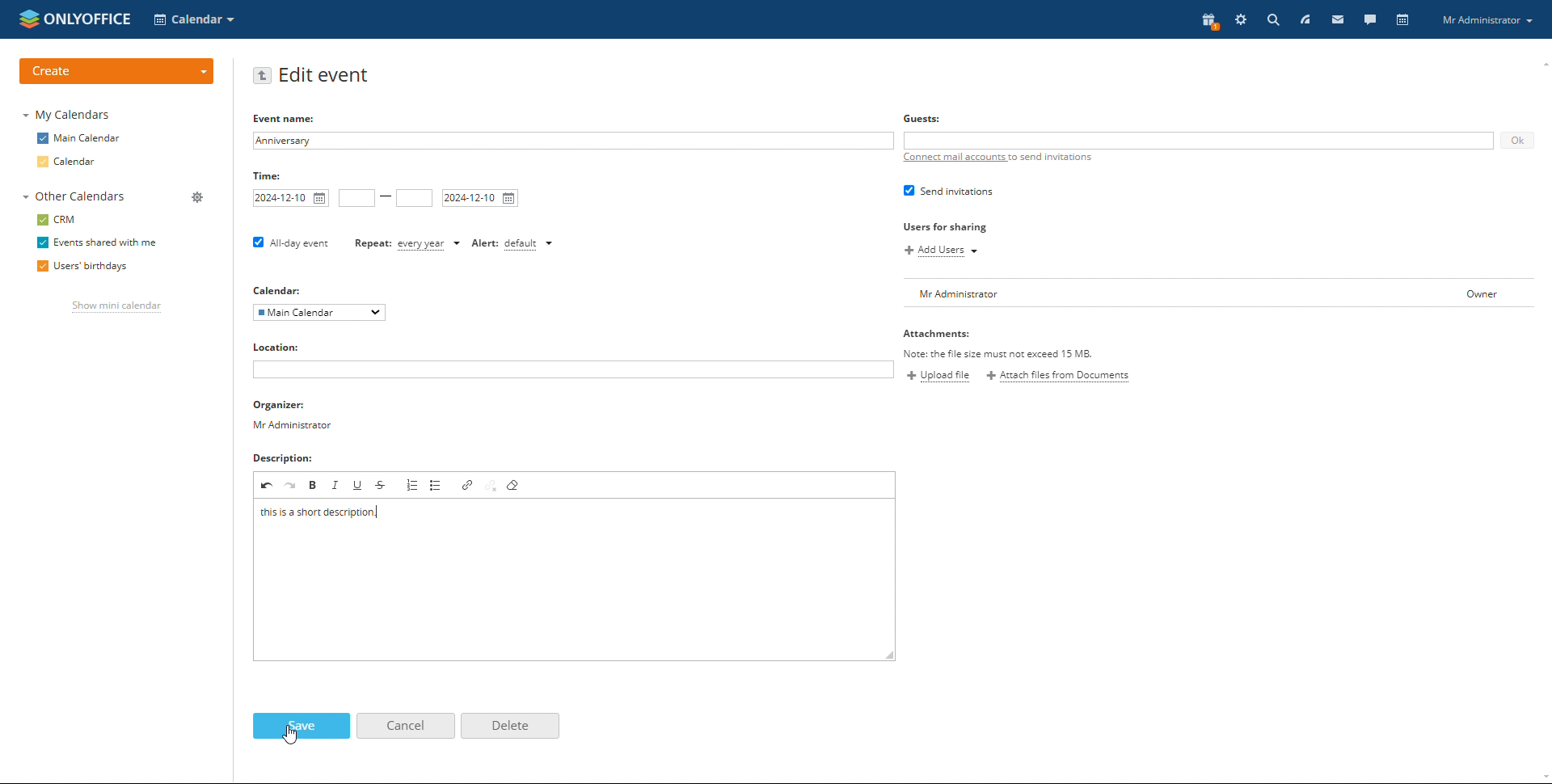  I want to click on event repetition, so click(407, 245).